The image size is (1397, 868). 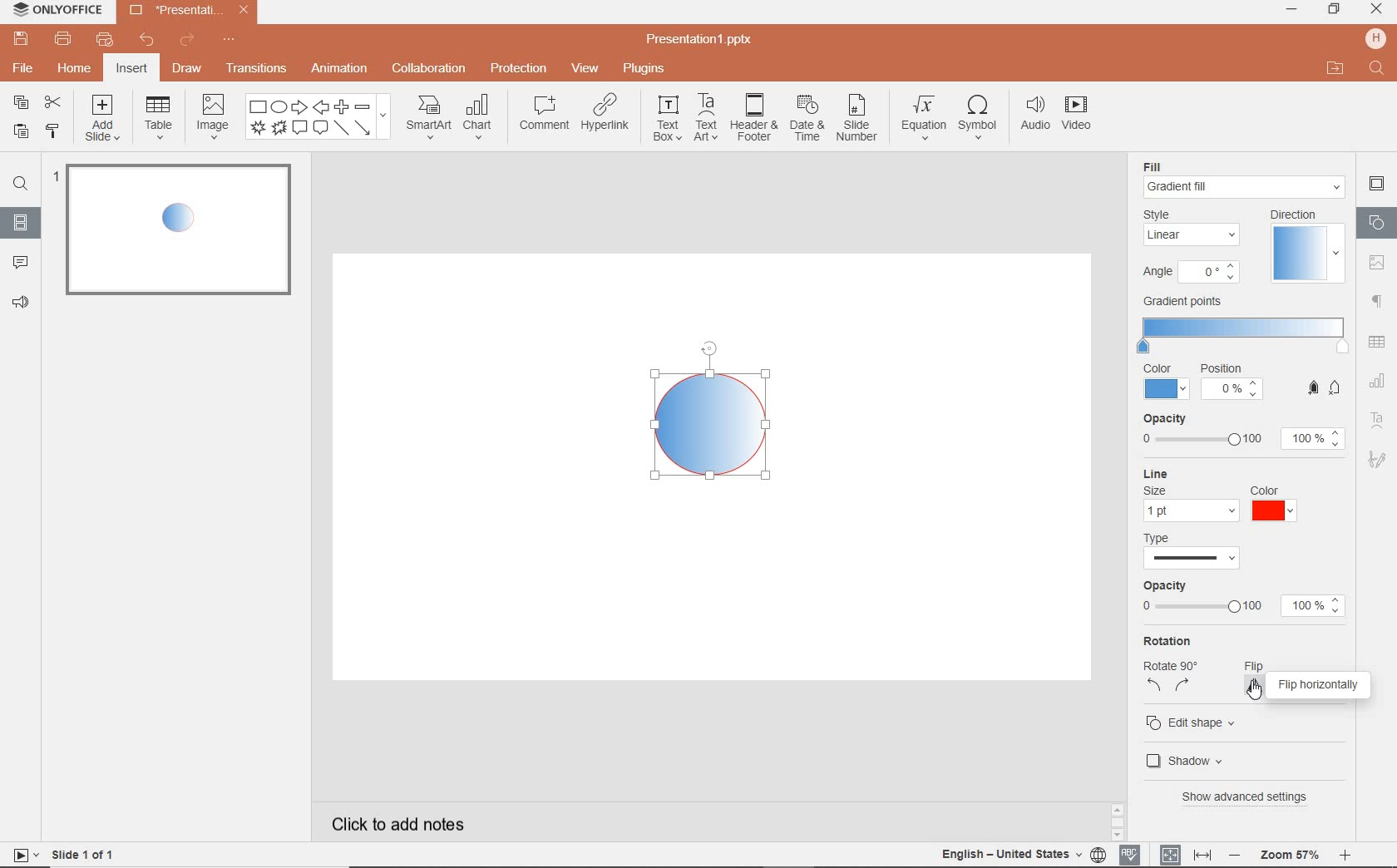 I want to click on color, so click(x=1267, y=504).